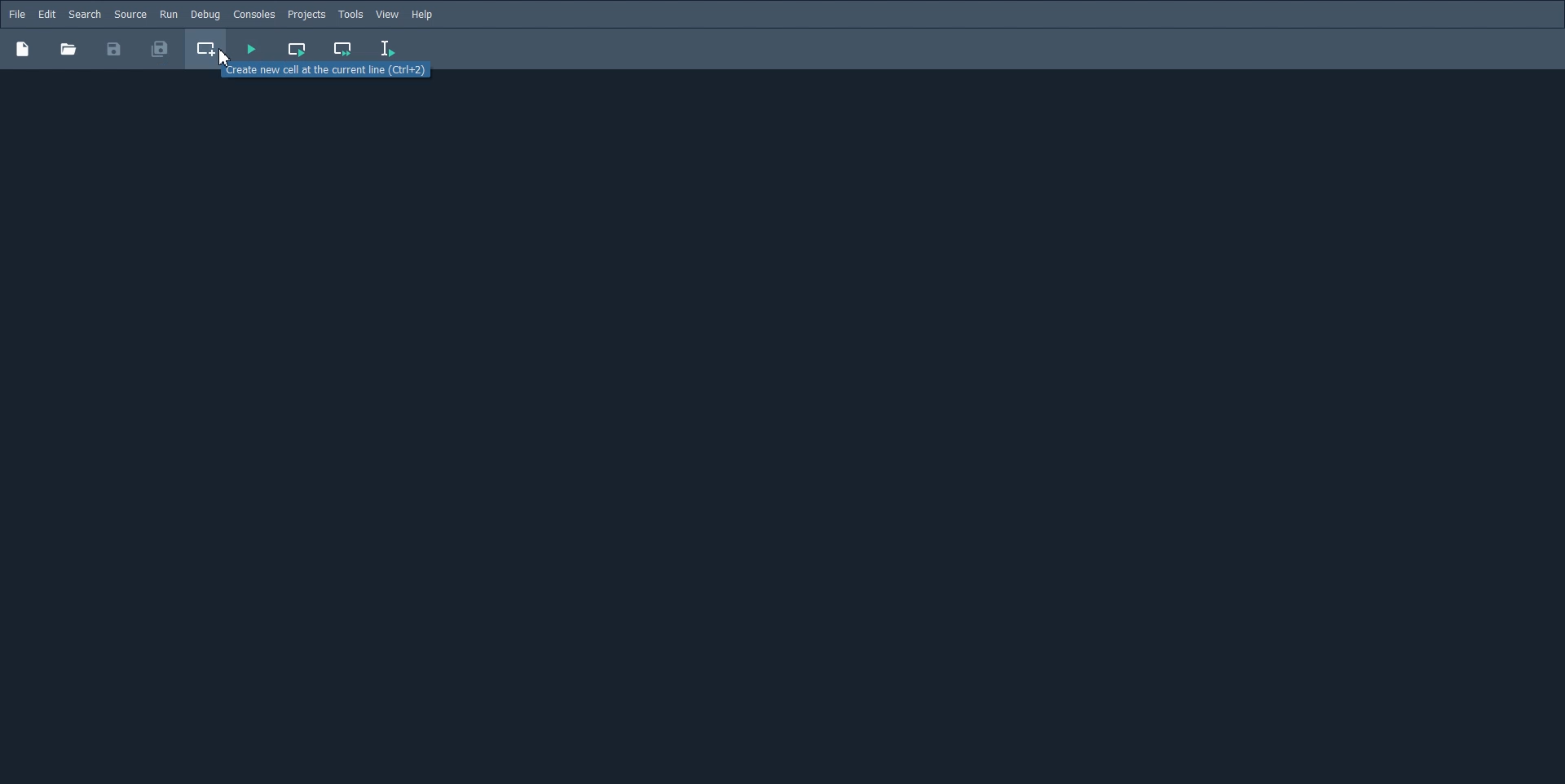 The image size is (1565, 784). Describe the element at coordinates (251, 49) in the screenshot. I see `Run File` at that location.